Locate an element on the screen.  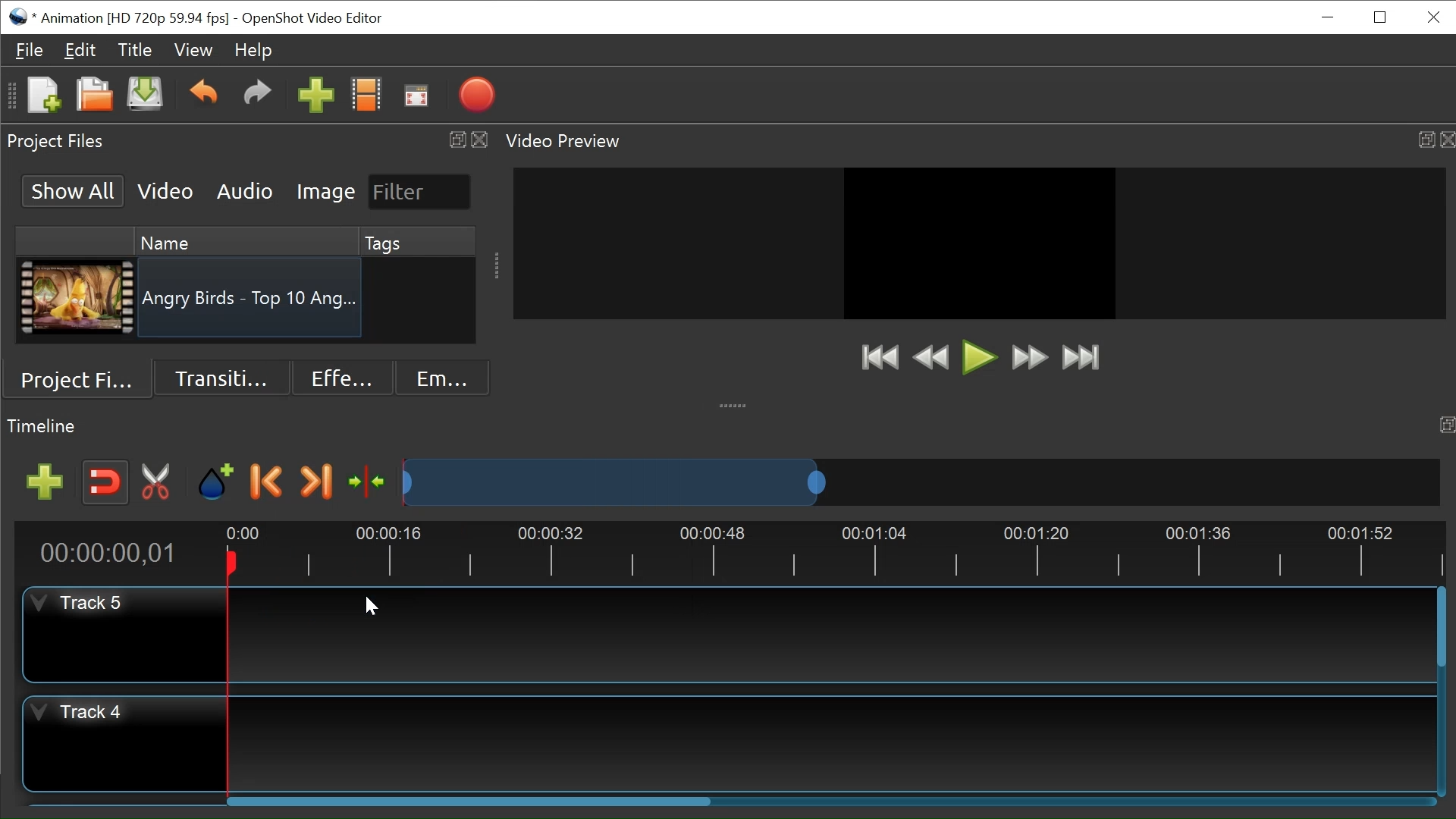
File Name is located at coordinates (252, 301).